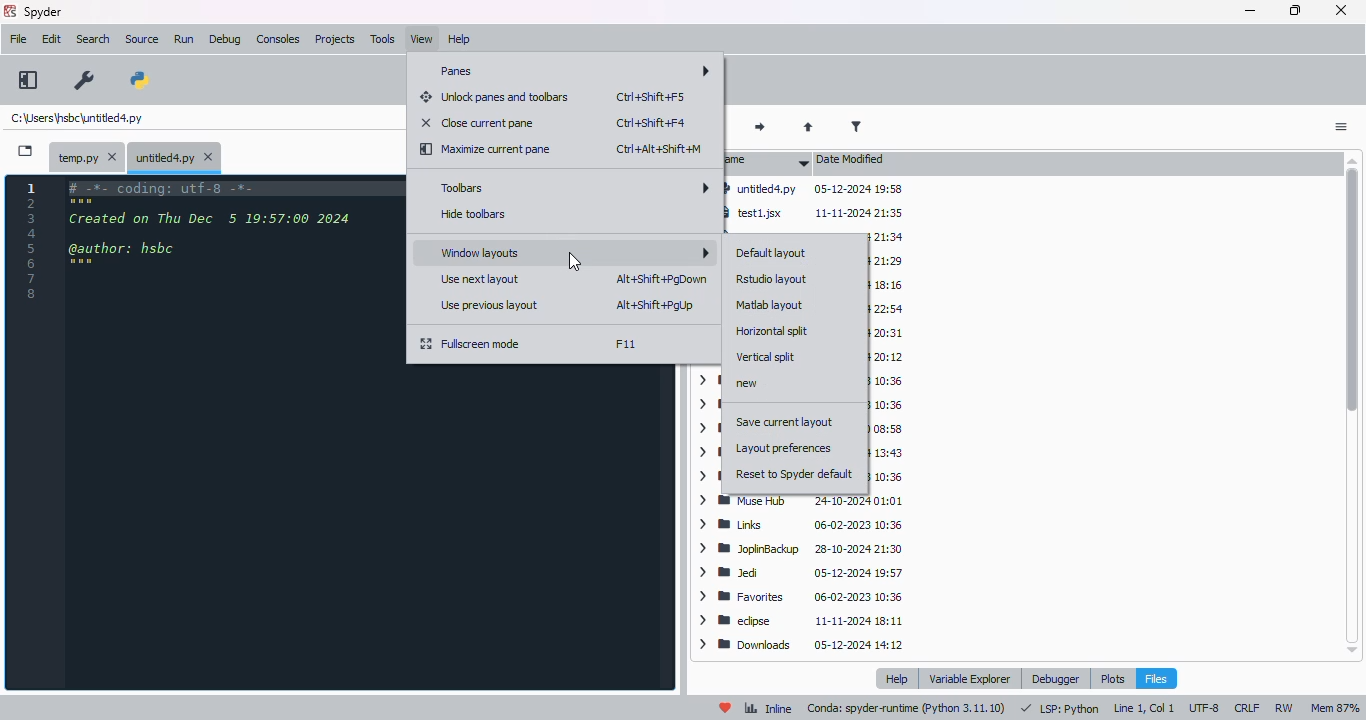  What do you see at coordinates (661, 279) in the screenshot?
I see `shortcut for use next layout` at bounding box center [661, 279].